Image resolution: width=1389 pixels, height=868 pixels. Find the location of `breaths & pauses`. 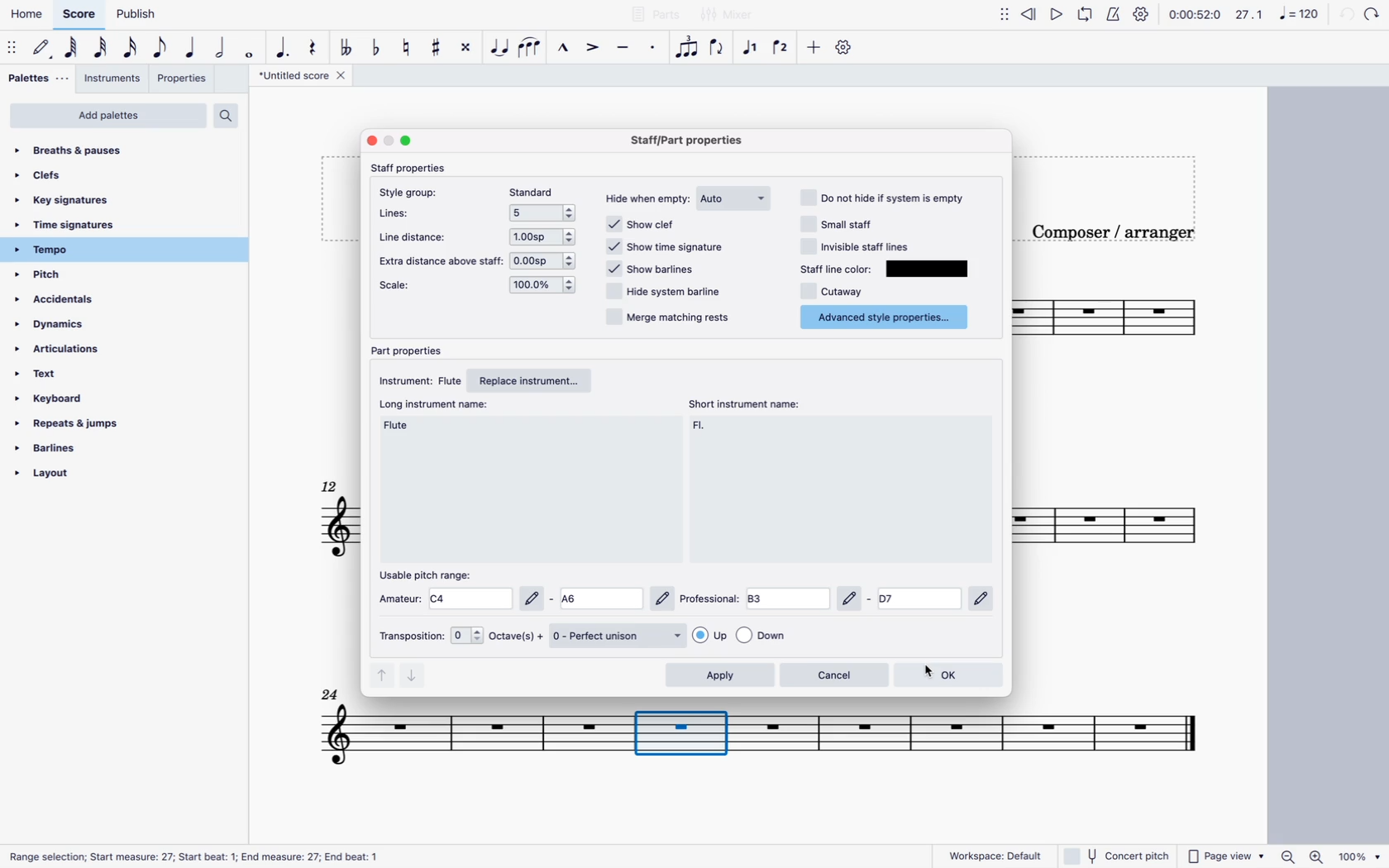

breaths & pauses is located at coordinates (73, 151).